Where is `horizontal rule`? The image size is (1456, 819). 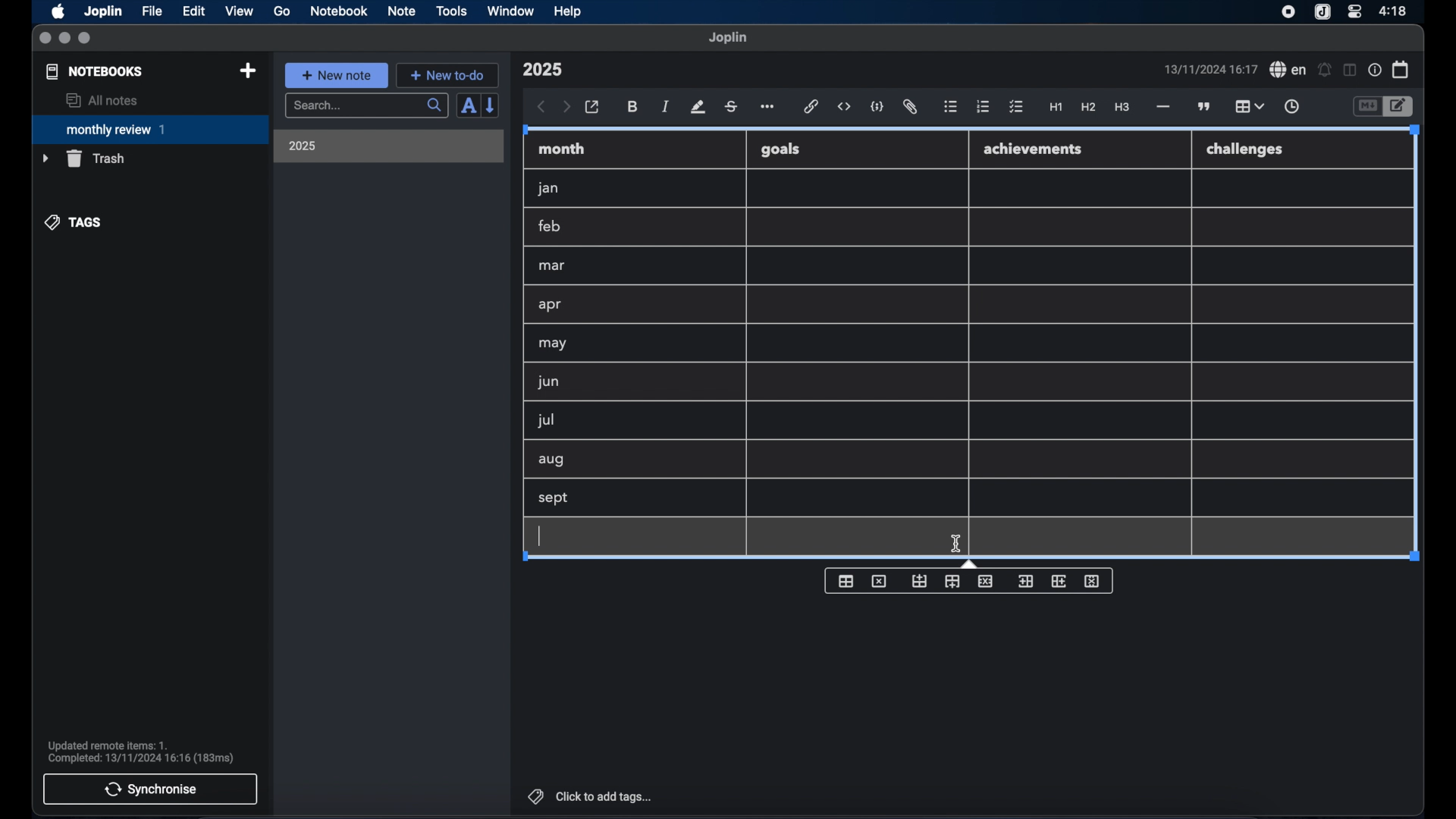
horizontal rule is located at coordinates (1162, 107).